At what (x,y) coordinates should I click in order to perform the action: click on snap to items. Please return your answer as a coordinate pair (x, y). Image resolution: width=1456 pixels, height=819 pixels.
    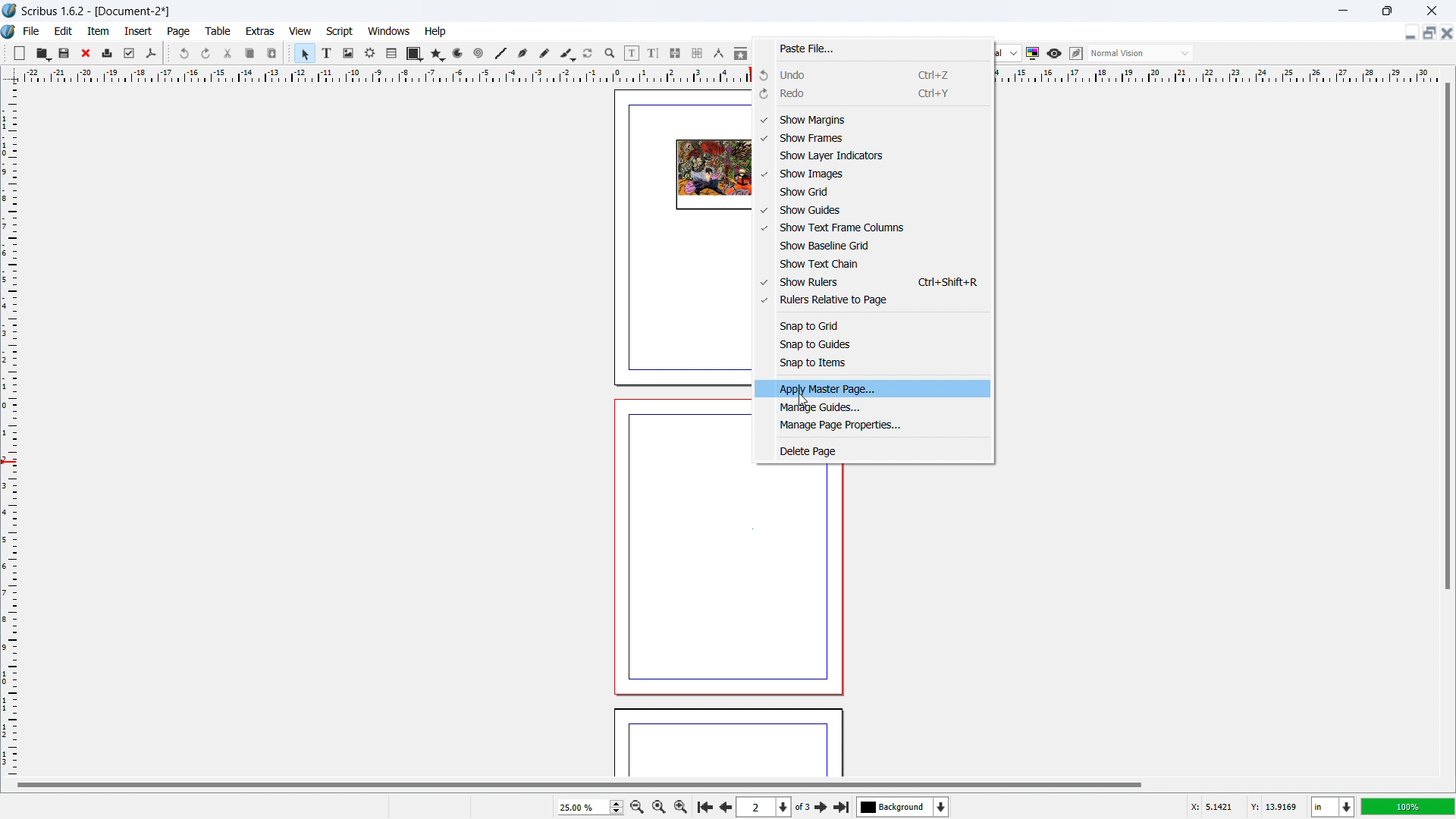
    Looking at the image, I should click on (873, 363).